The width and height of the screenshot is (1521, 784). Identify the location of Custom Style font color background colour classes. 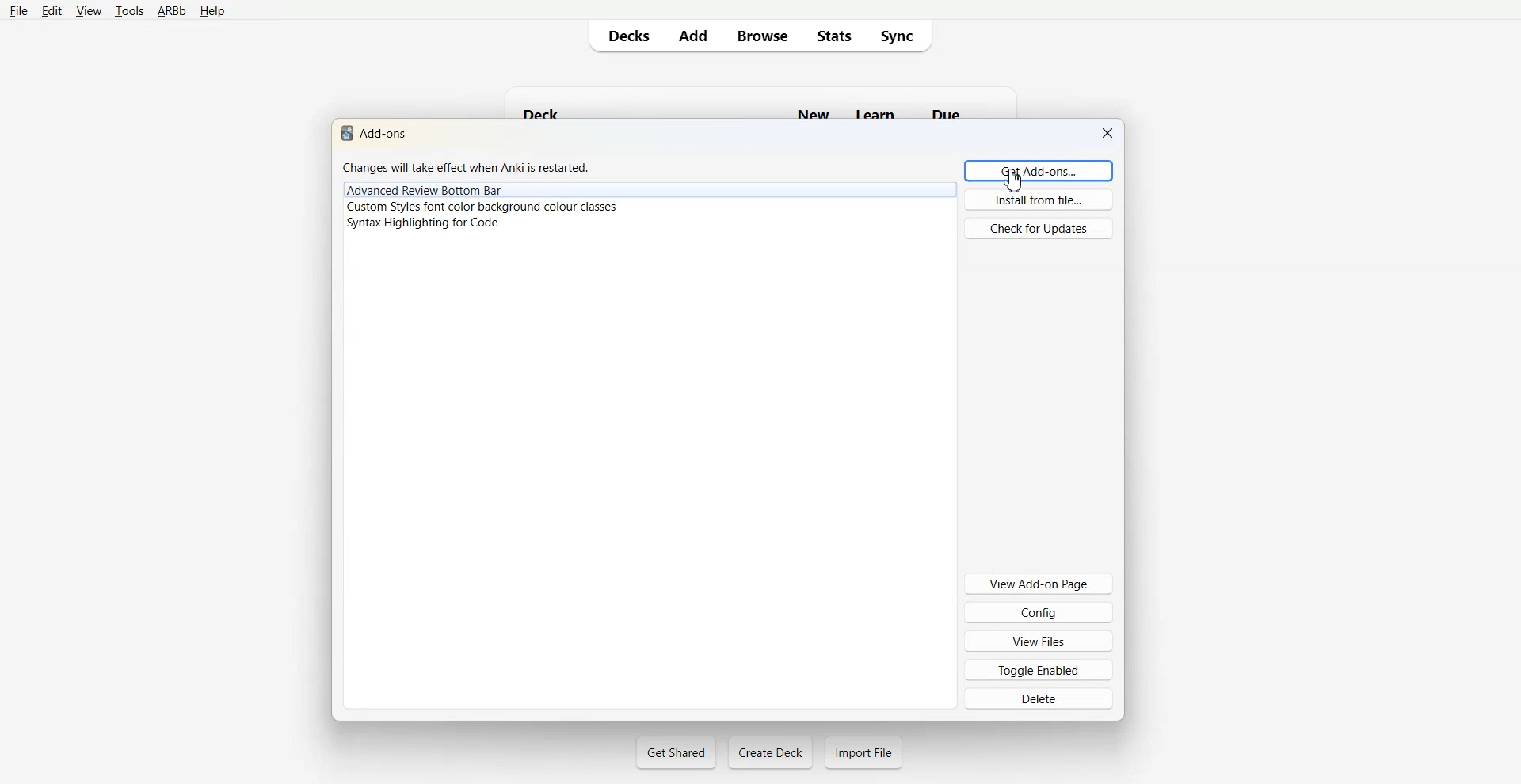
(650, 207).